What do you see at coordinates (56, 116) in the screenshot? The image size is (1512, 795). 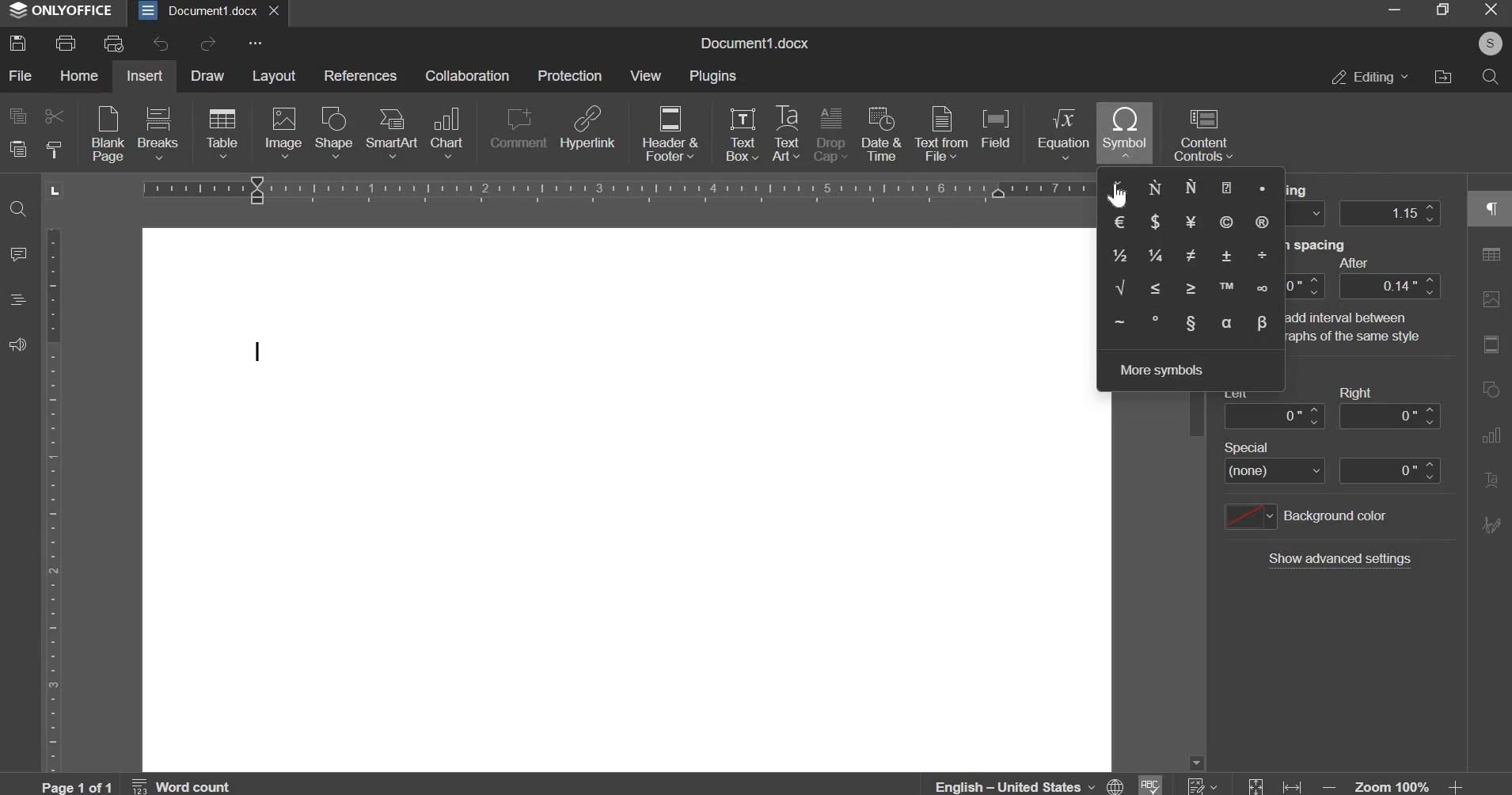 I see `cut` at bounding box center [56, 116].